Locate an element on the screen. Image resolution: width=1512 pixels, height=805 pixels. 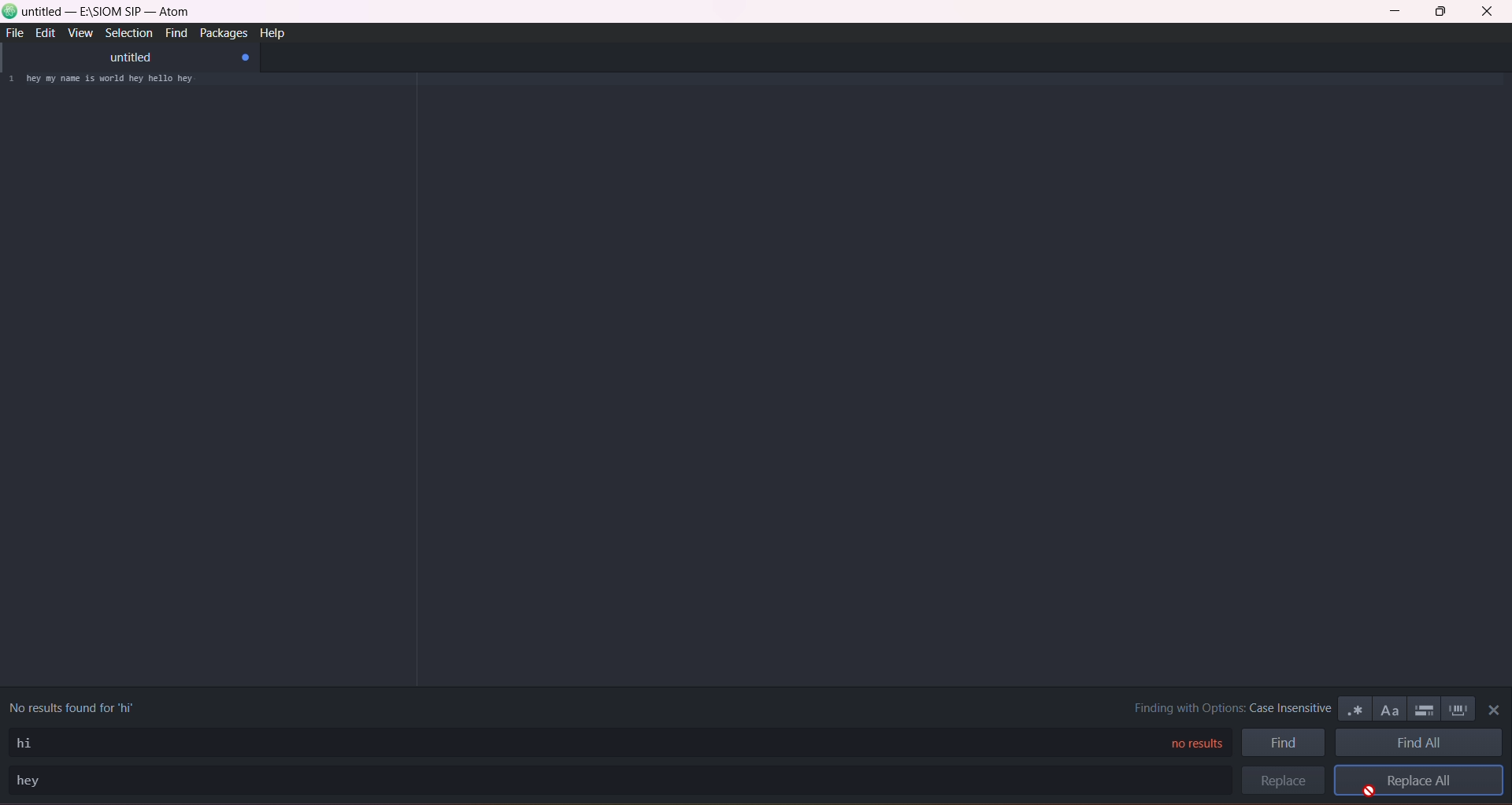
close tab is located at coordinates (246, 58).